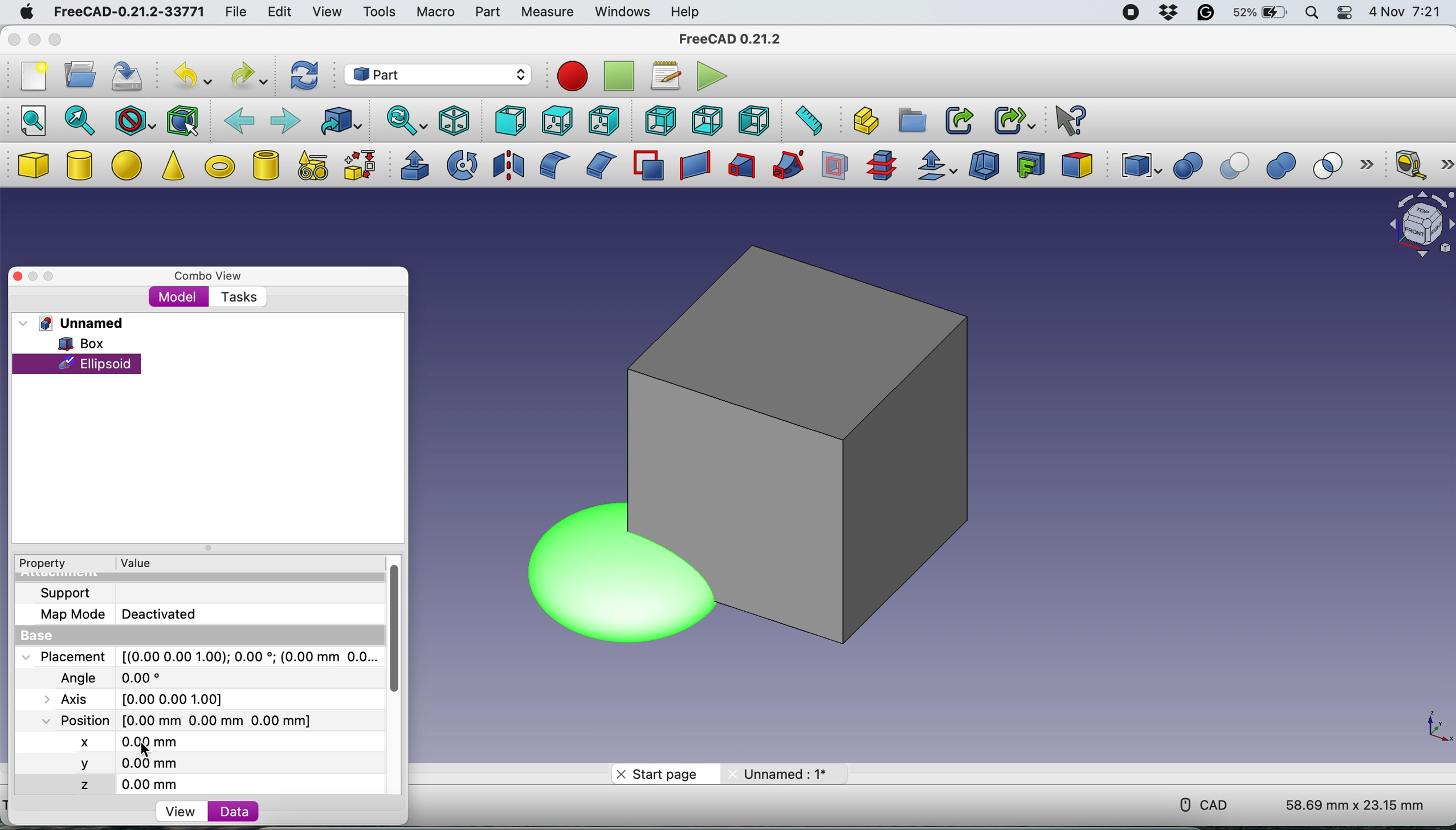 The width and height of the screenshot is (1456, 830). Describe the element at coordinates (1166, 13) in the screenshot. I see `dropbox` at that location.